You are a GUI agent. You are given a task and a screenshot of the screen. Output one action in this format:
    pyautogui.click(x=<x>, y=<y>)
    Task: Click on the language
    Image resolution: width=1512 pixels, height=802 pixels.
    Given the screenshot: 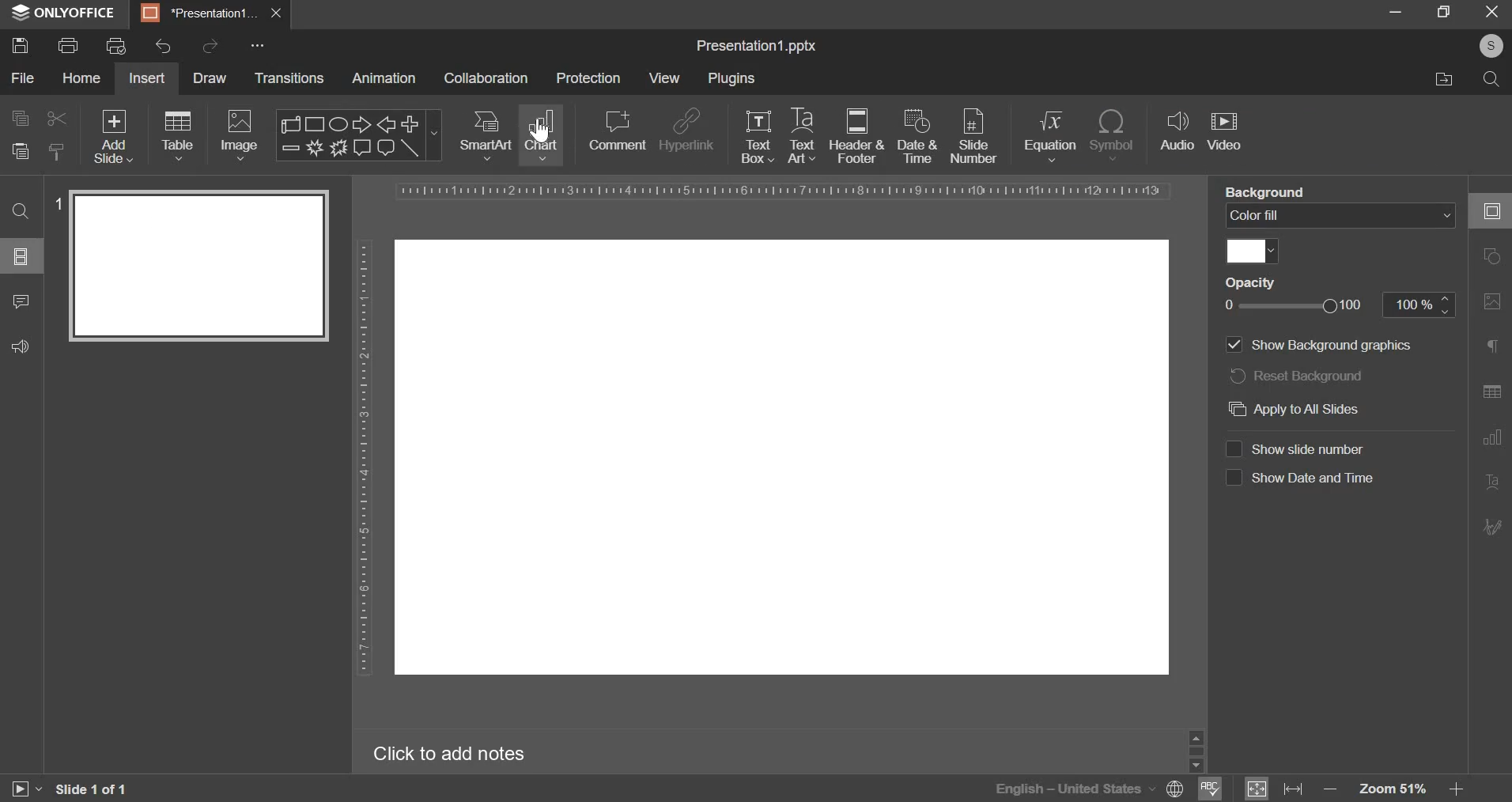 What is the action you would take?
    pyautogui.click(x=1066, y=791)
    